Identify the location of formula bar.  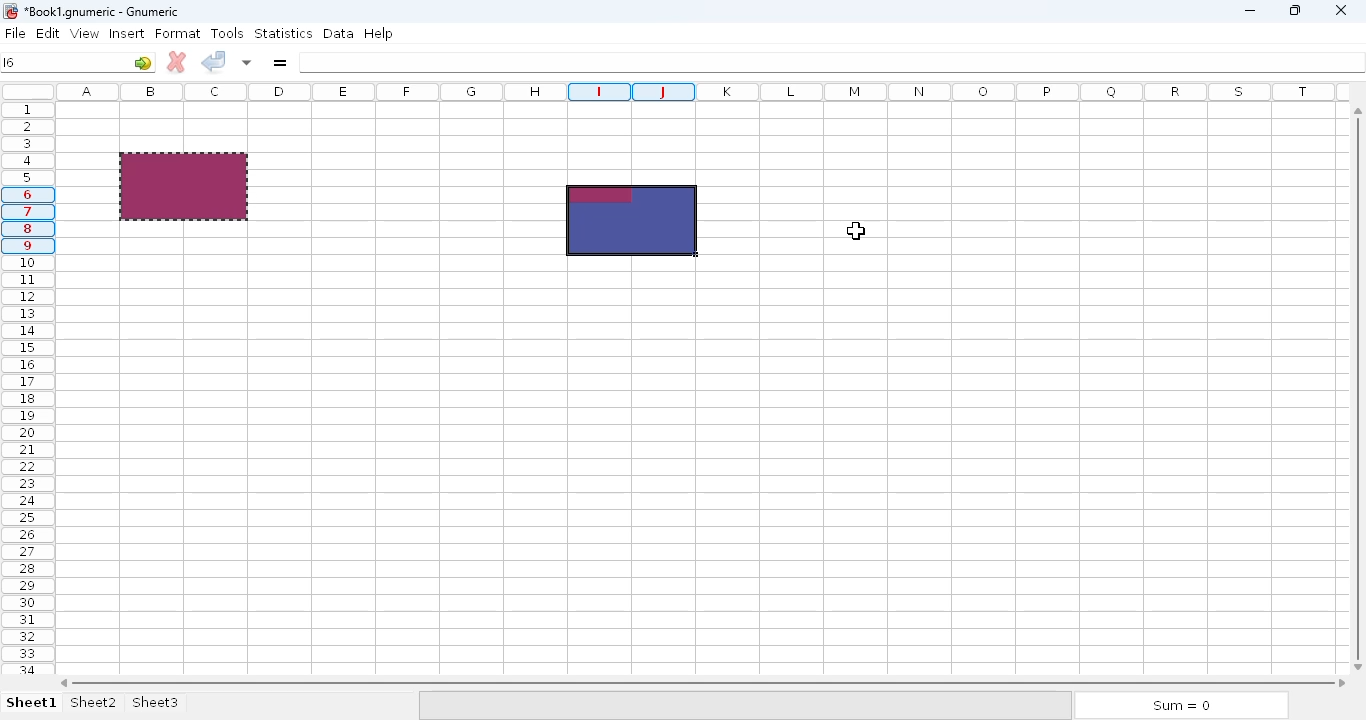
(832, 61).